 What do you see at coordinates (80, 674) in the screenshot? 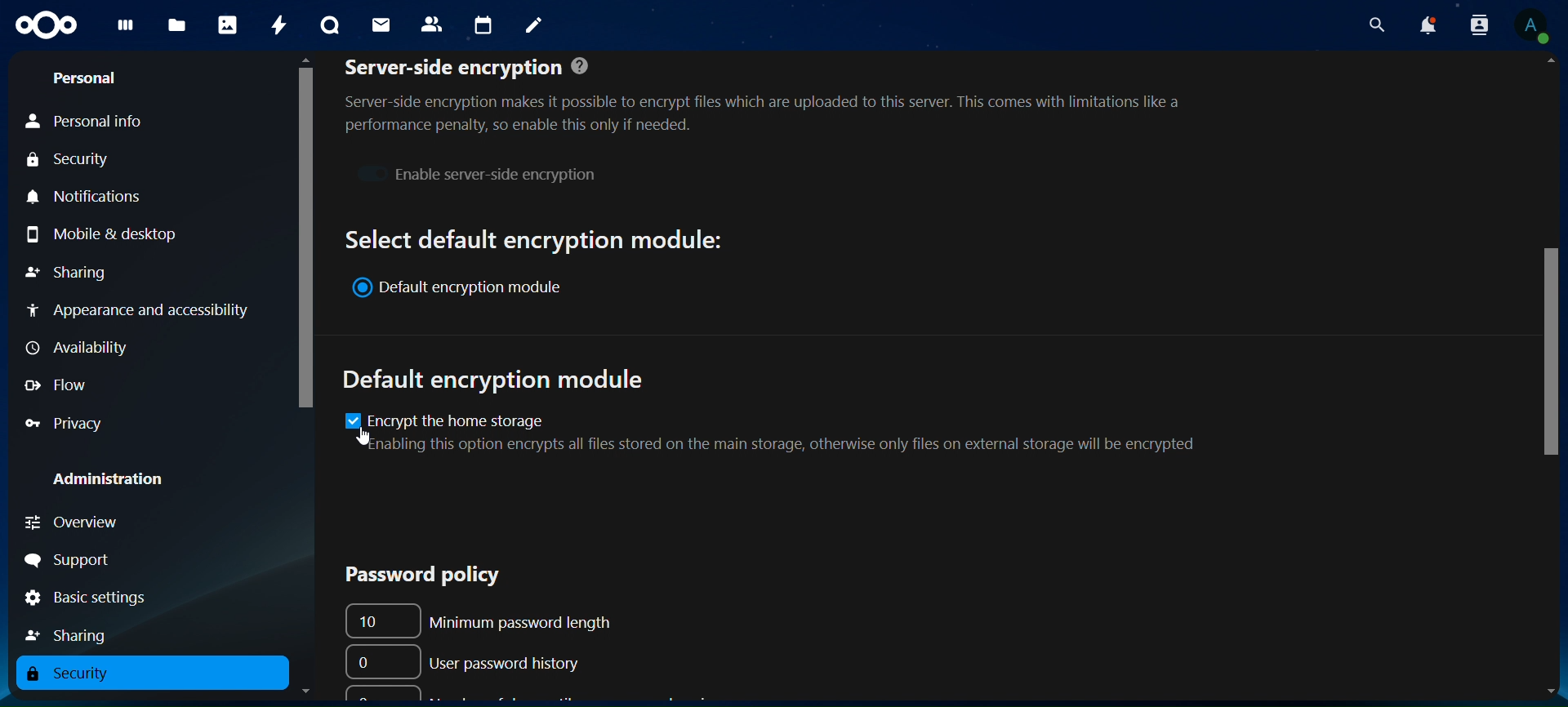
I see `security` at bounding box center [80, 674].